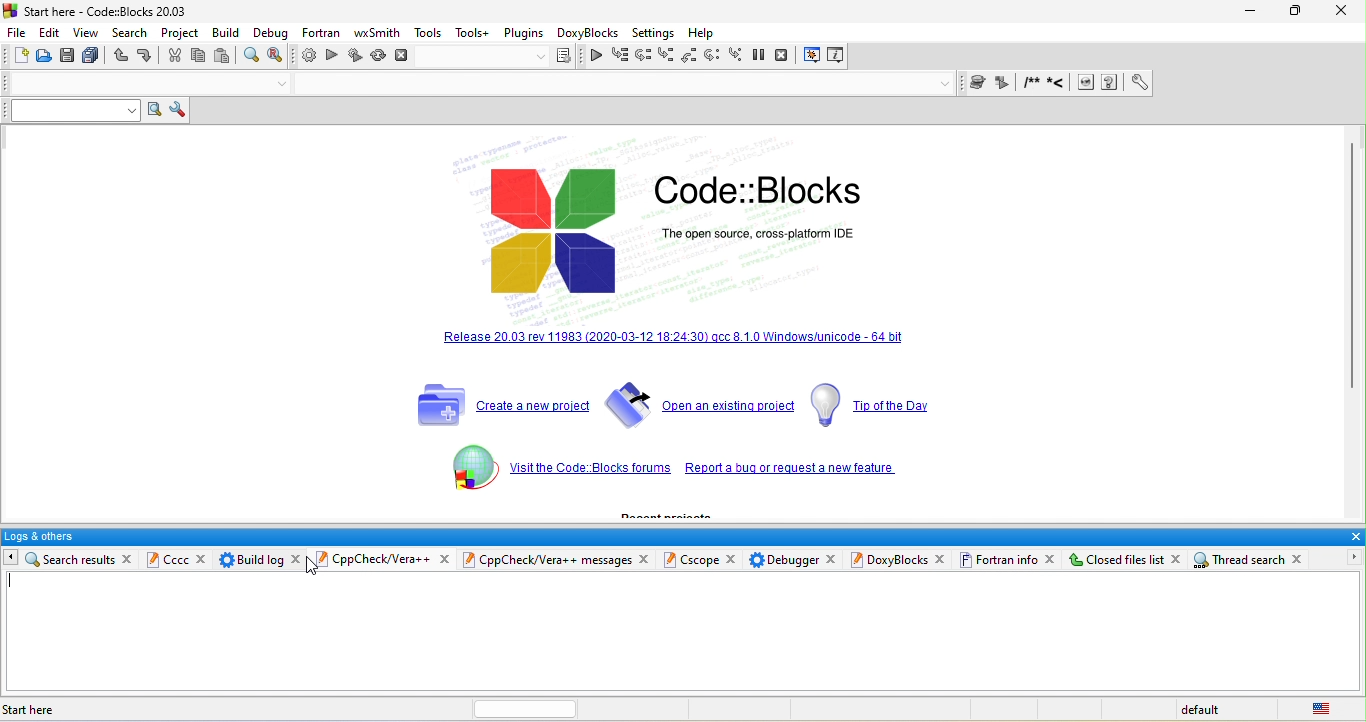  Describe the element at coordinates (1351, 557) in the screenshot. I see `next` at that location.